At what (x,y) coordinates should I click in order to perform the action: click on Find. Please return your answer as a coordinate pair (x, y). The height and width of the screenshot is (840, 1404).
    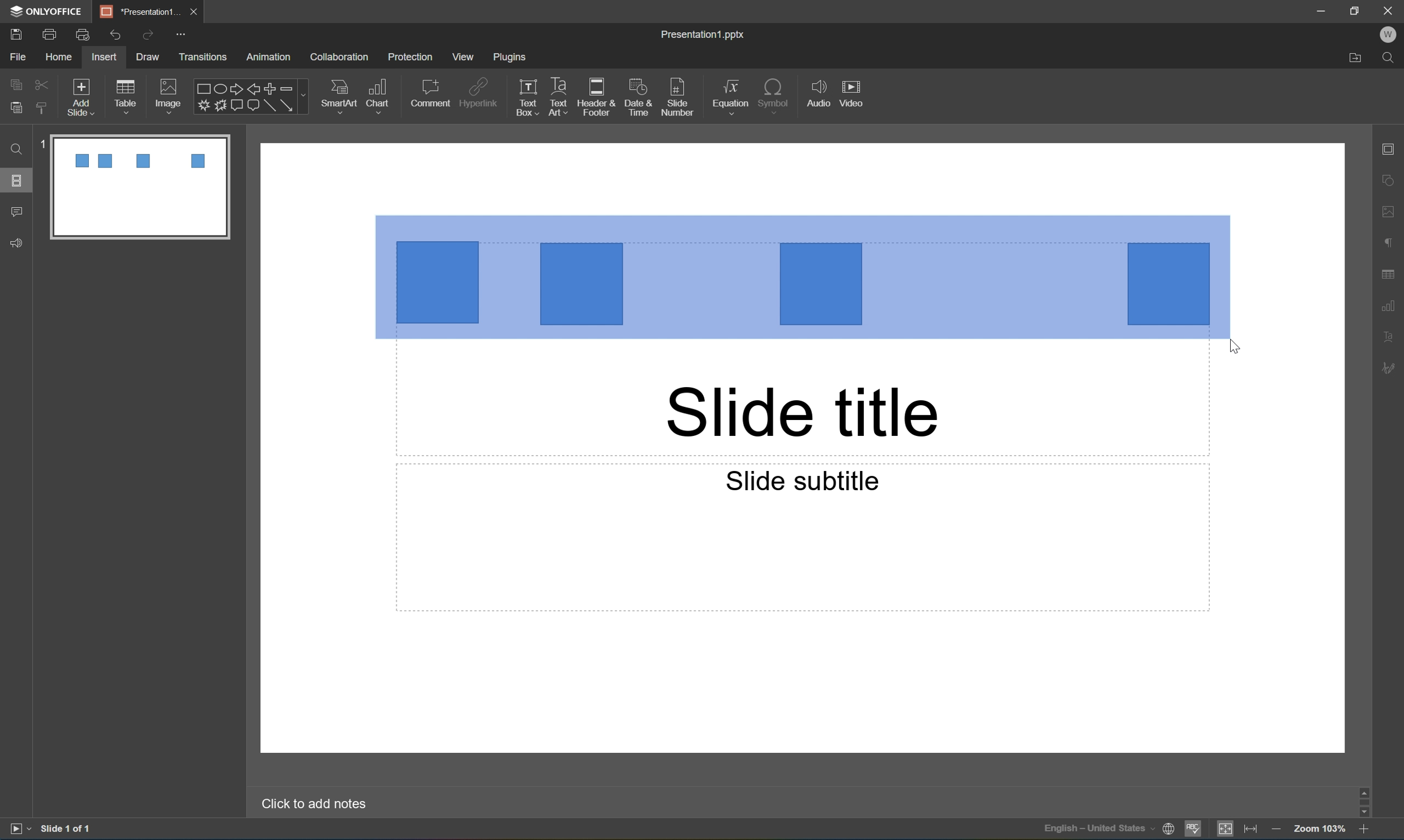
    Looking at the image, I should click on (17, 150).